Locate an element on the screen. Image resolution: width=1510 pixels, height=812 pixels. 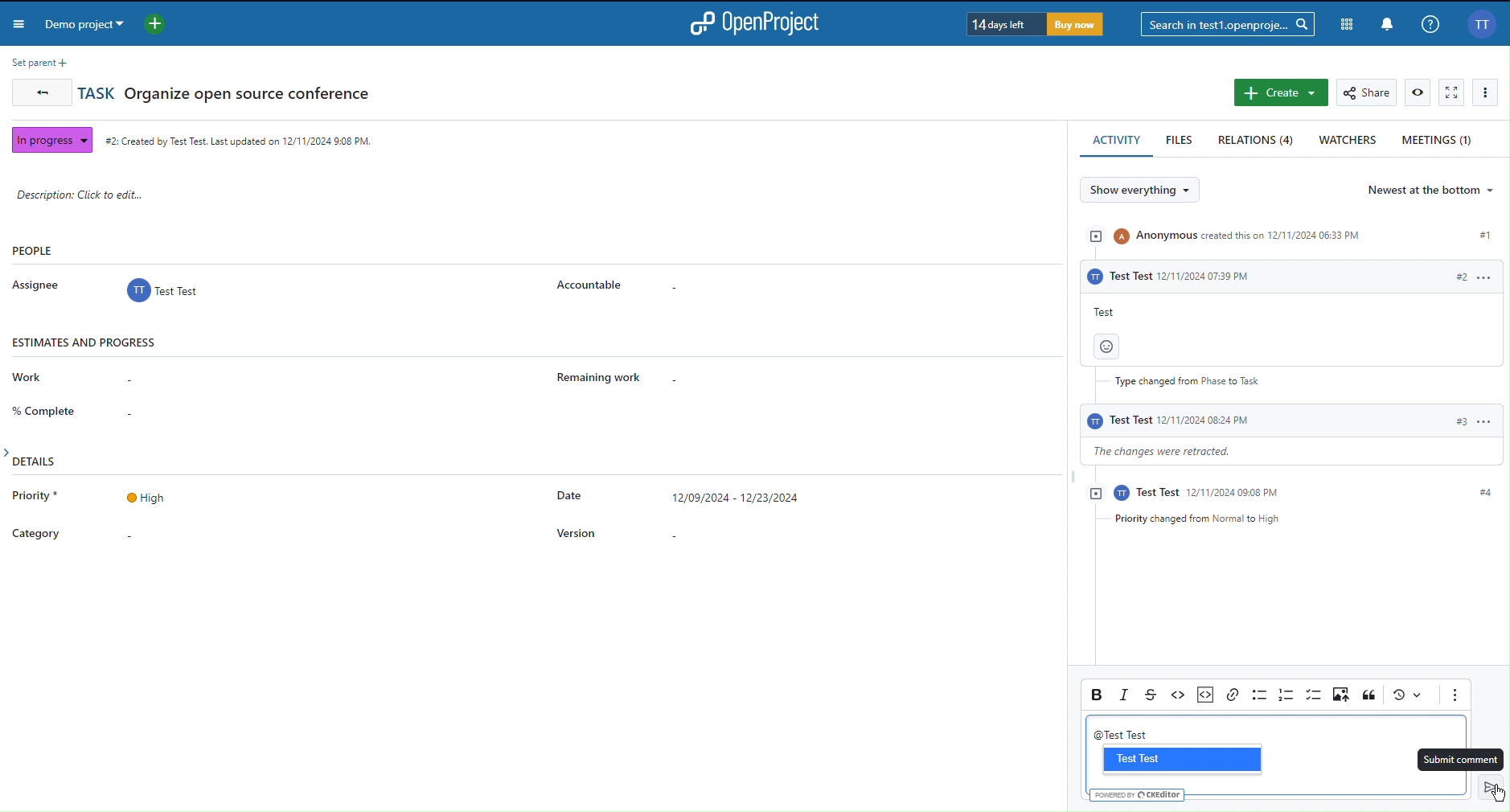
Menu is located at coordinates (21, 26).